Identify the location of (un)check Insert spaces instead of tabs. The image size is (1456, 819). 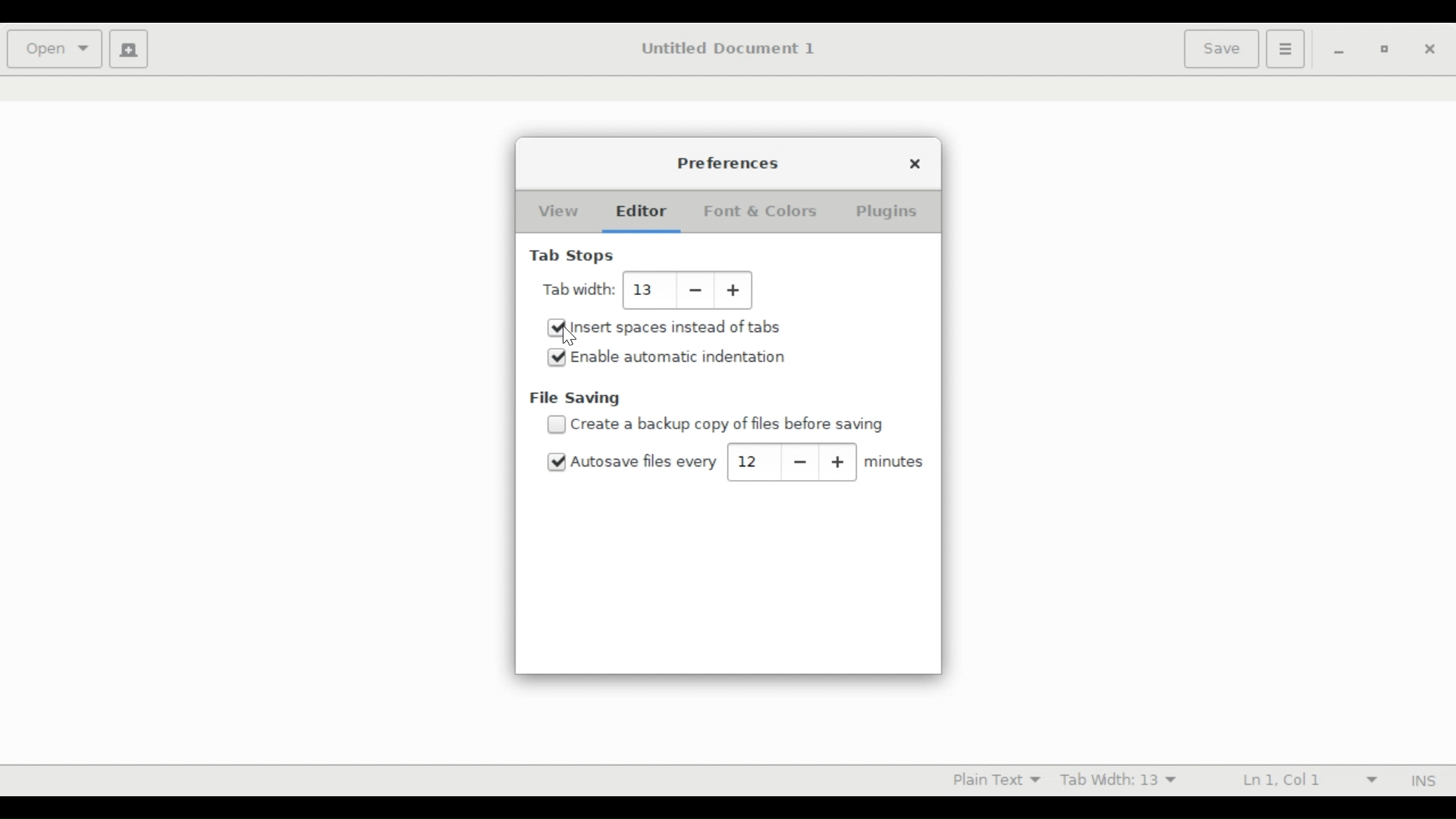
(676, 328).